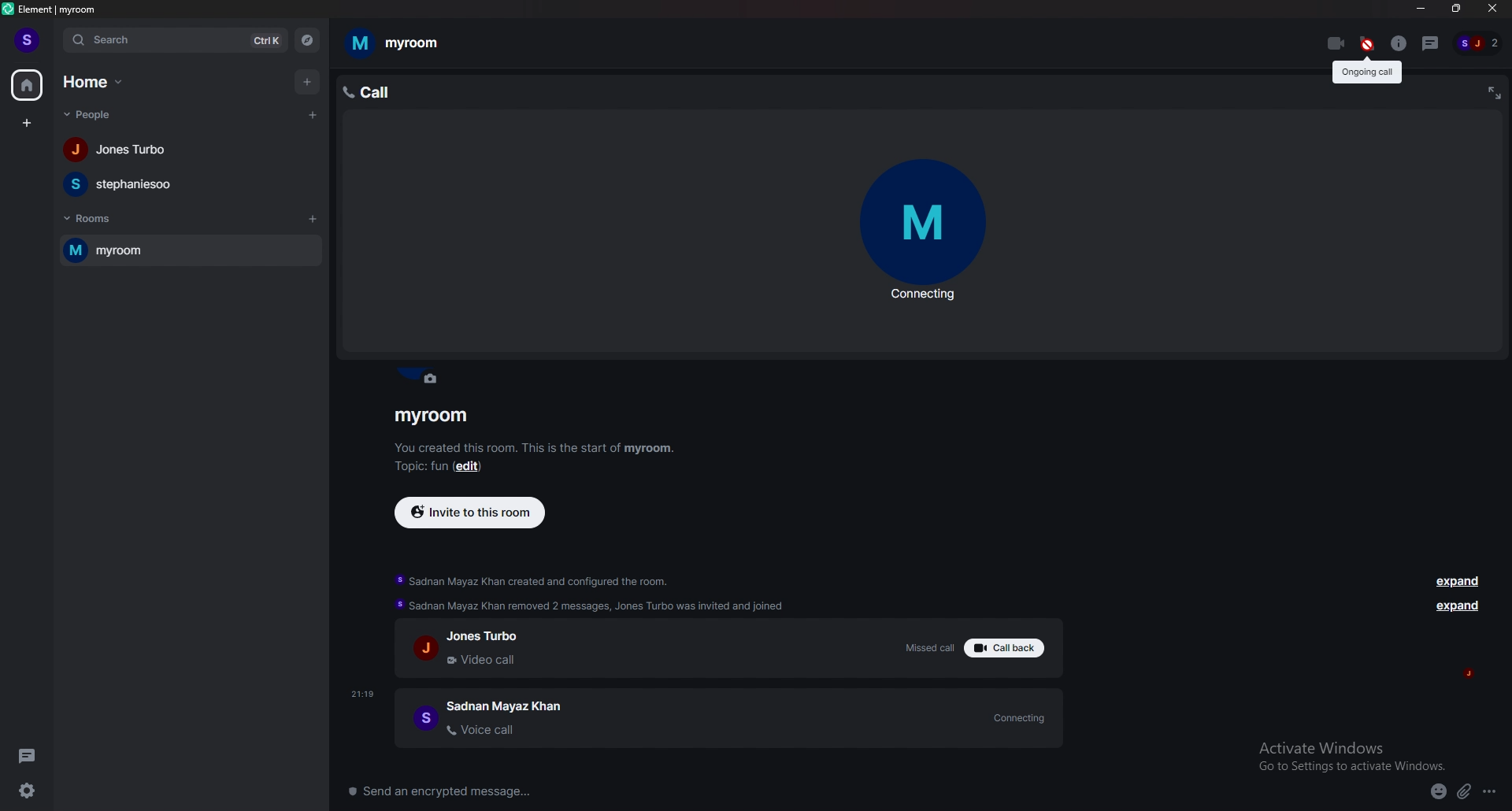  Describe the element at coordinates (1004, 649) in the screenshot. I see `call back` at that location.